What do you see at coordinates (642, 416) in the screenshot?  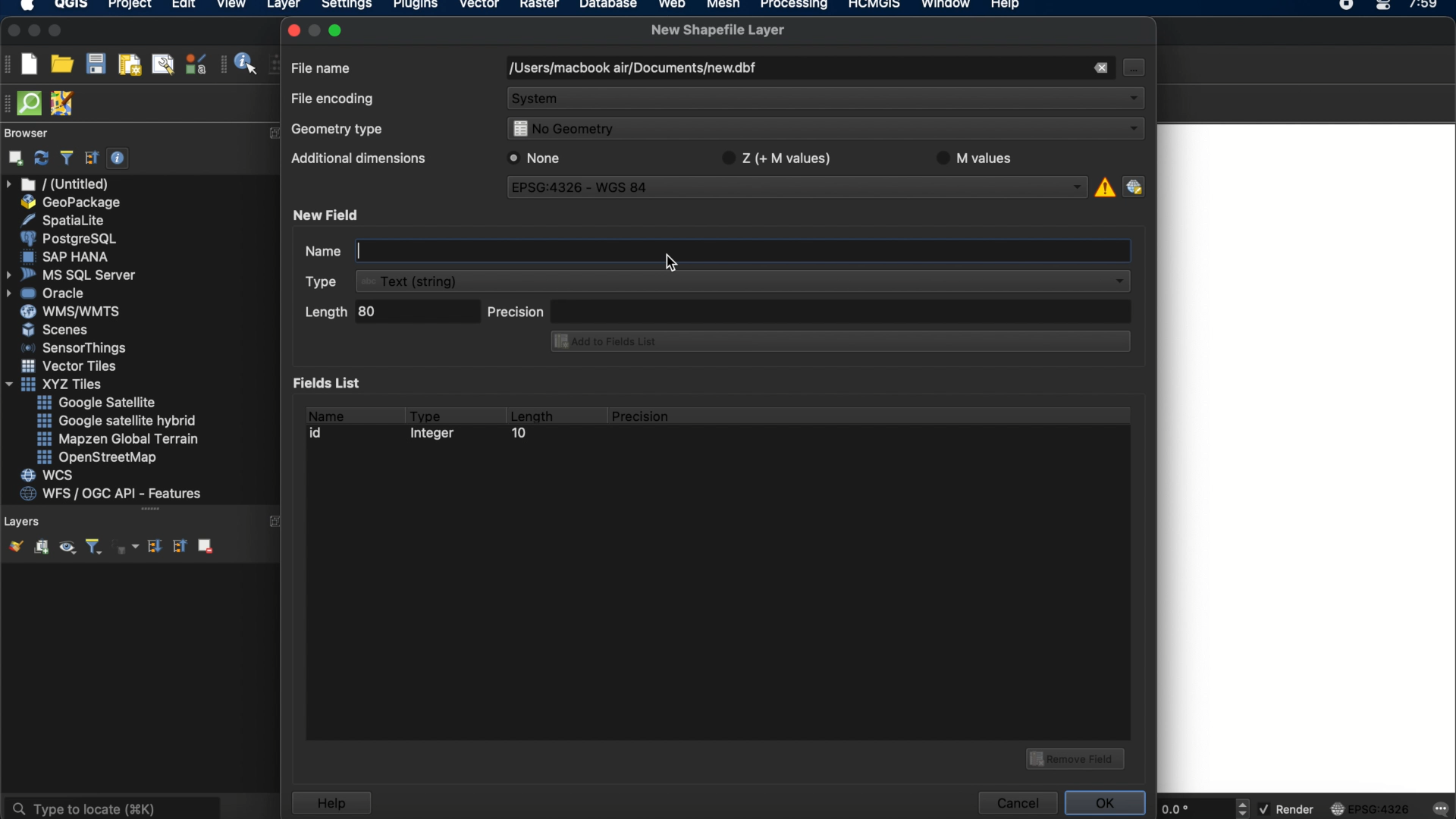 I see `precision` at bounding box center [642, 416].